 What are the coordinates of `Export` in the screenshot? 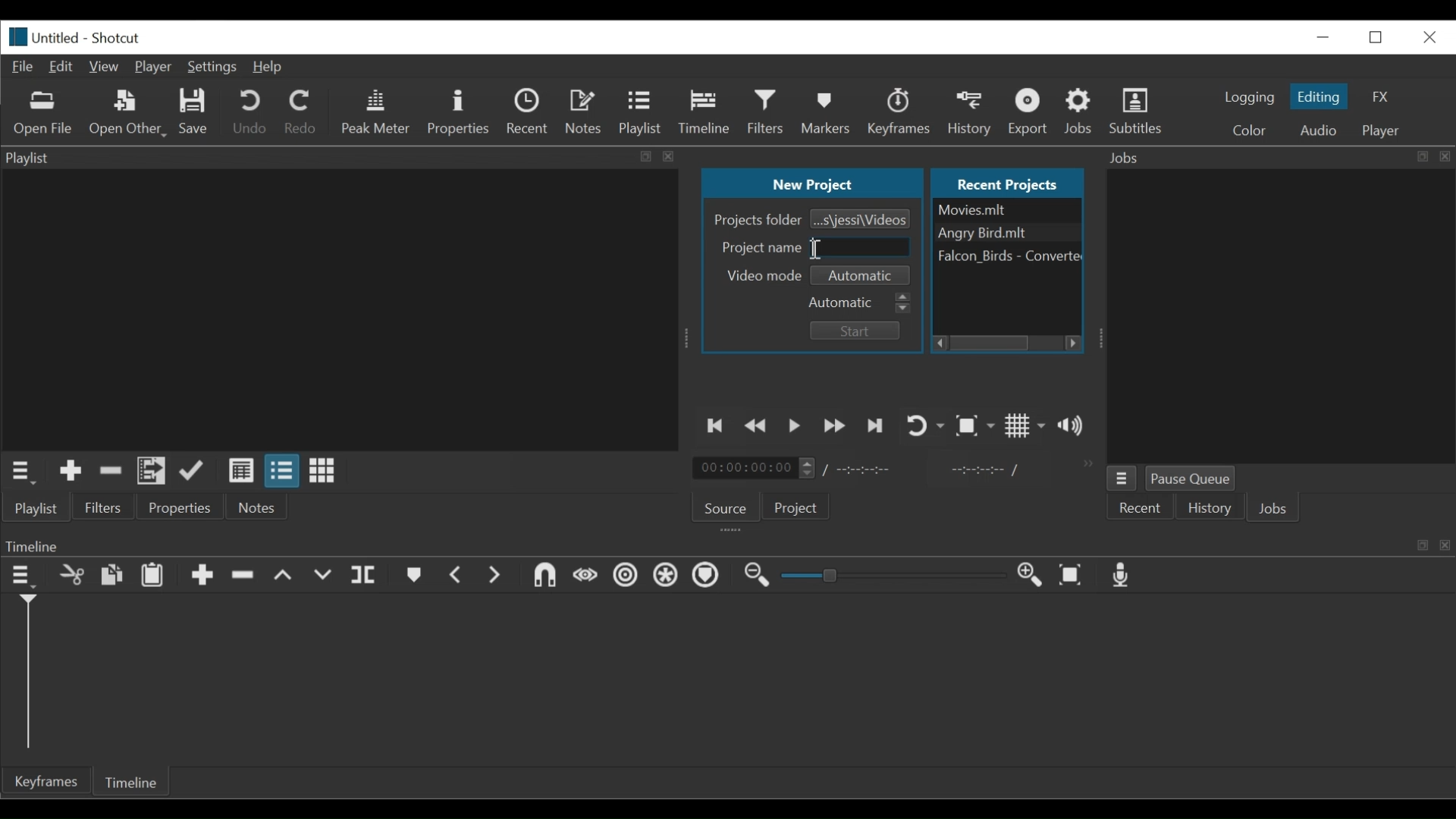 It's located at (1028, 112).